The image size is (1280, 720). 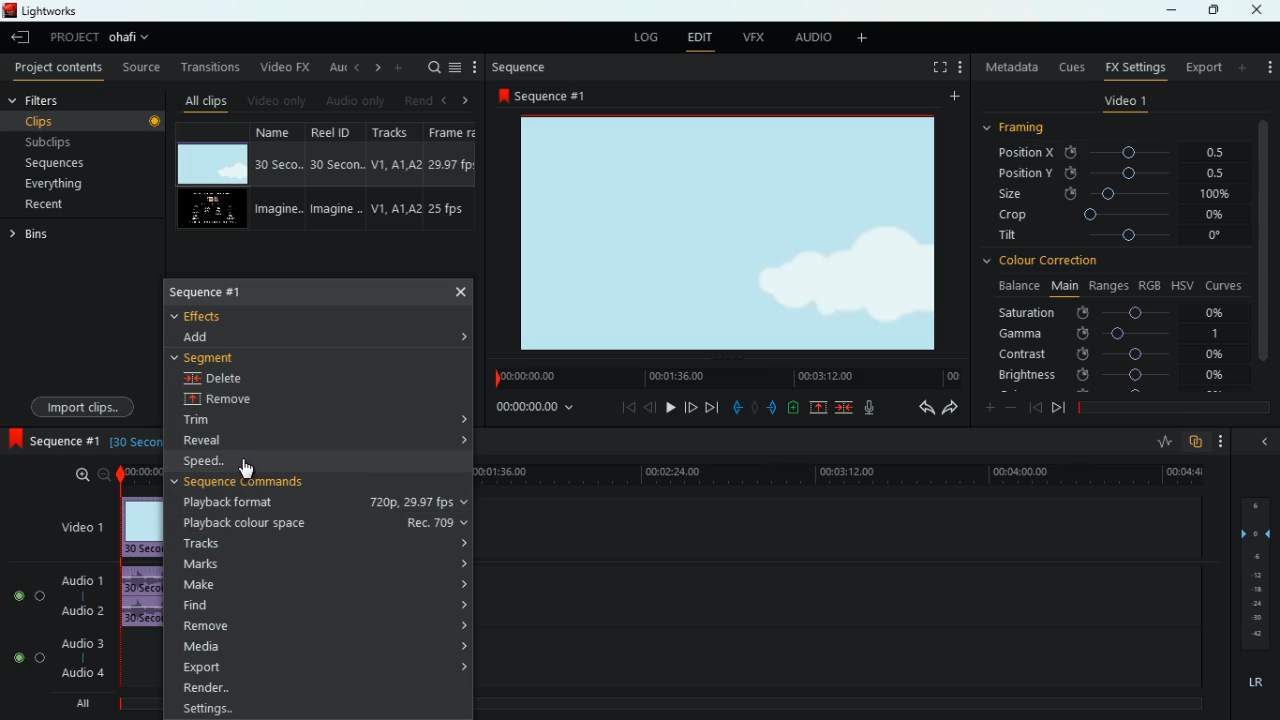 What do you see at coordinates (542, 95) in the screenshot?
I see `sequence` at bounding box center [542, 95].